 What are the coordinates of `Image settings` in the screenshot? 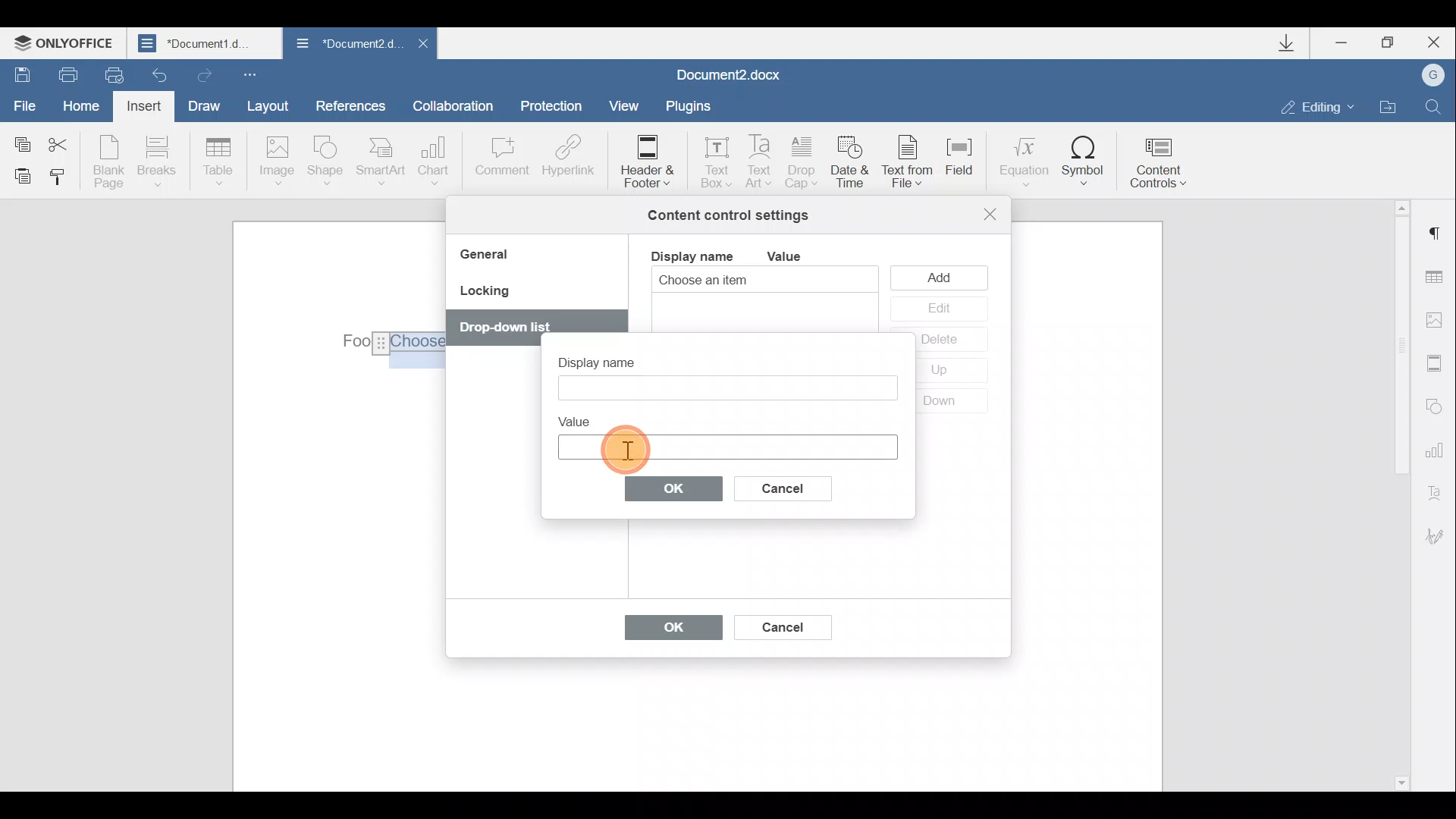 It's located at (1438, 320).